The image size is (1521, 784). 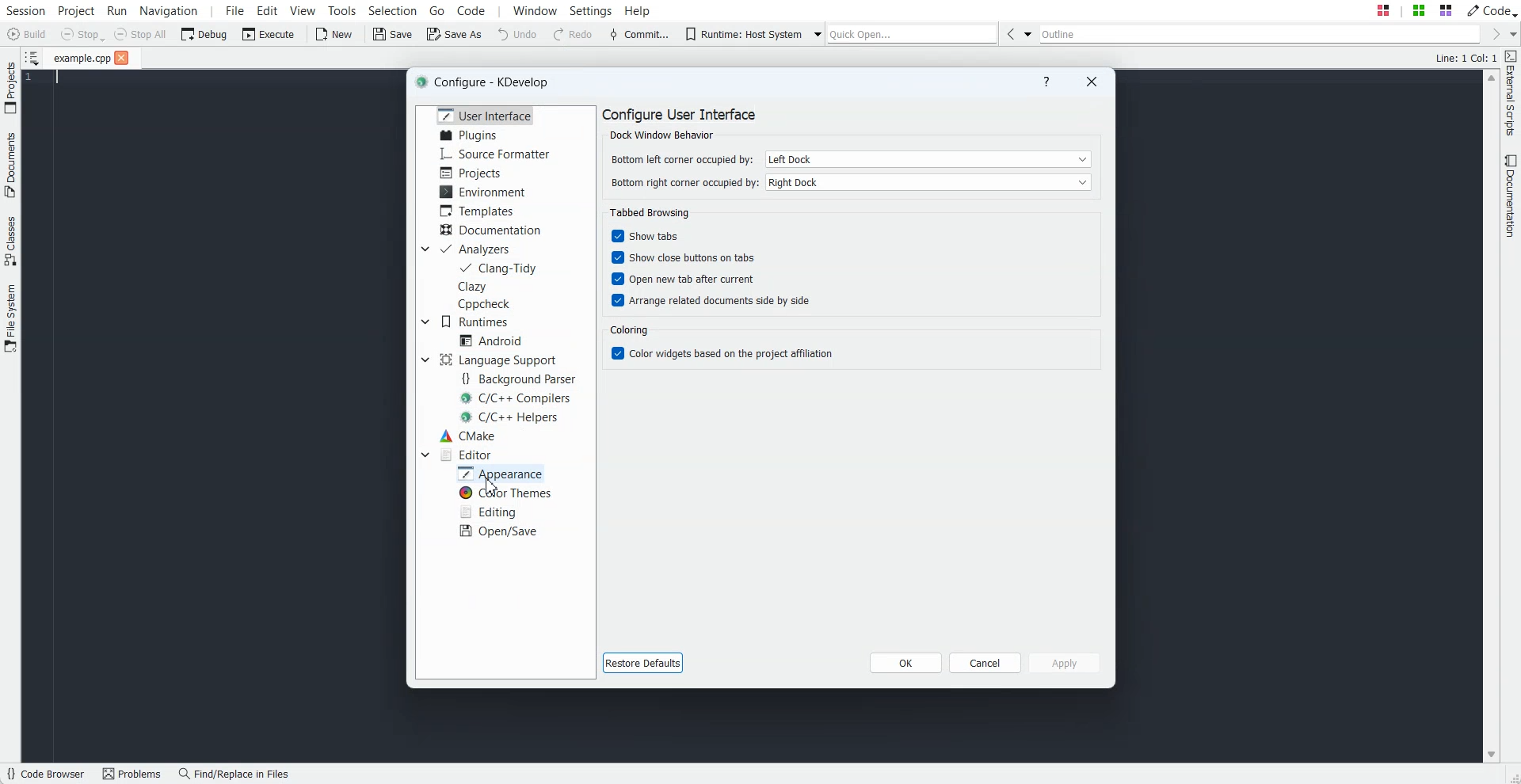 What do you see at coordinates (520, 378) in the screenshot?
I see `Background Parser` at bounding box center [520, 378].